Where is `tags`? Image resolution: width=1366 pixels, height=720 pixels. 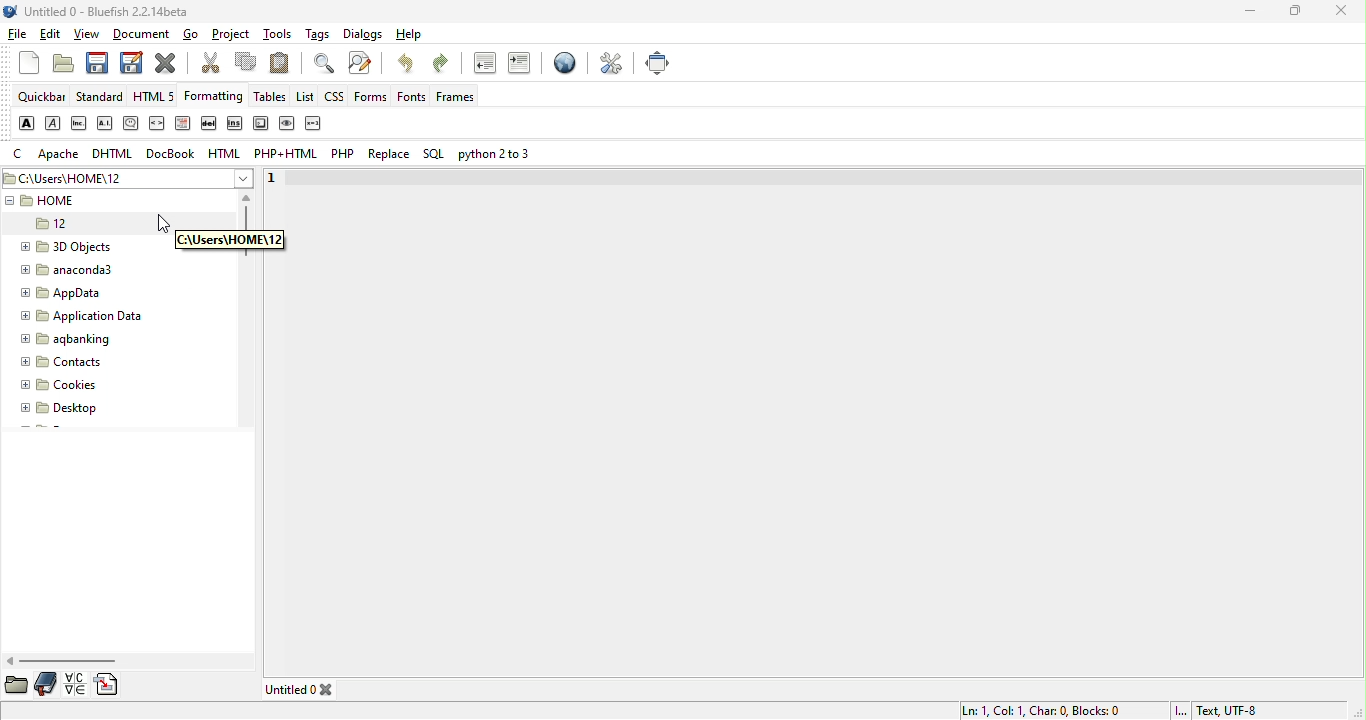
tags is located at coordinates (317, 33).